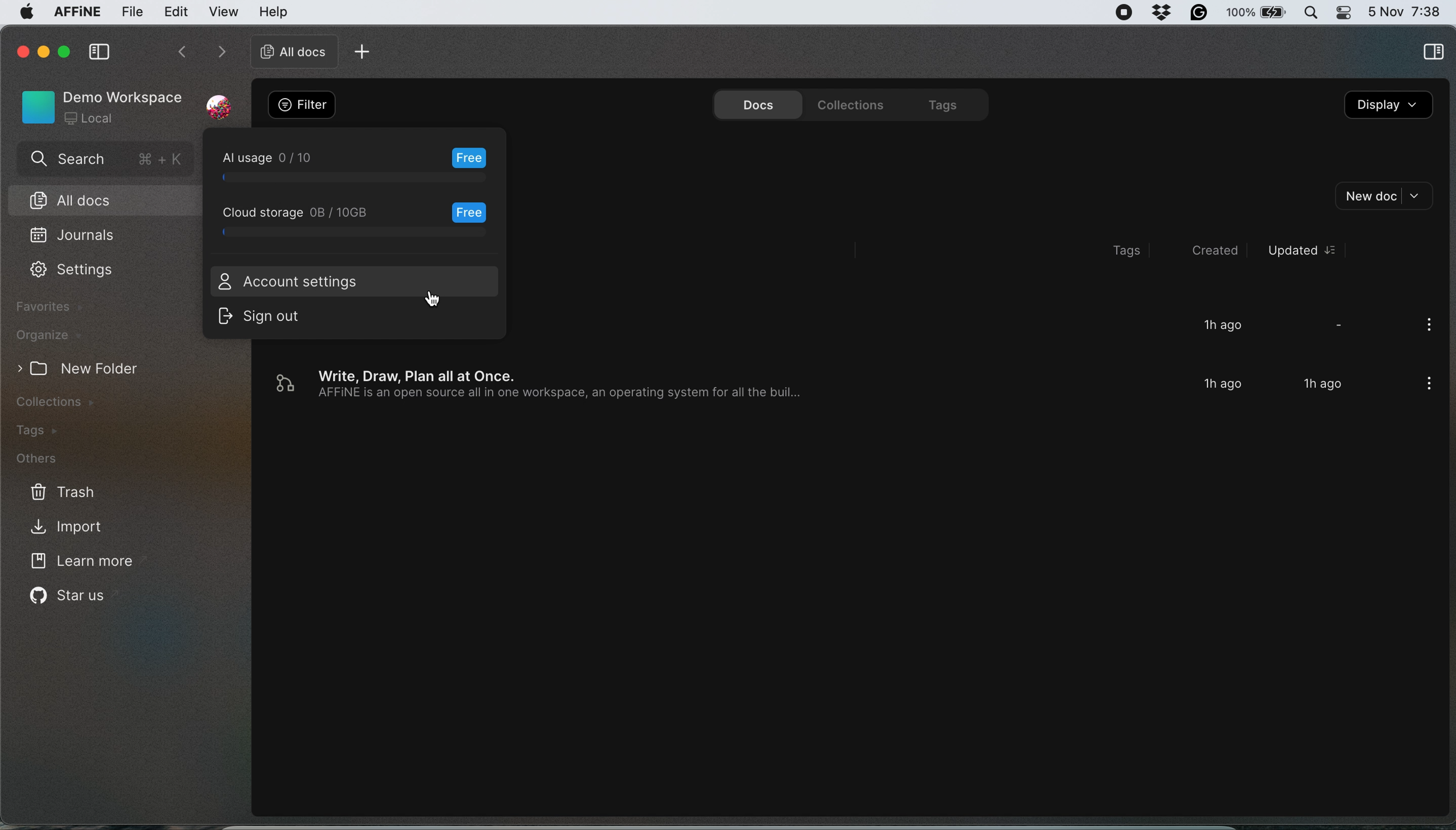 This screenshot has width=1456, height=830. Describe the element at coordinates (1405, 10) in the screenshot. I see `date and time` at that location.